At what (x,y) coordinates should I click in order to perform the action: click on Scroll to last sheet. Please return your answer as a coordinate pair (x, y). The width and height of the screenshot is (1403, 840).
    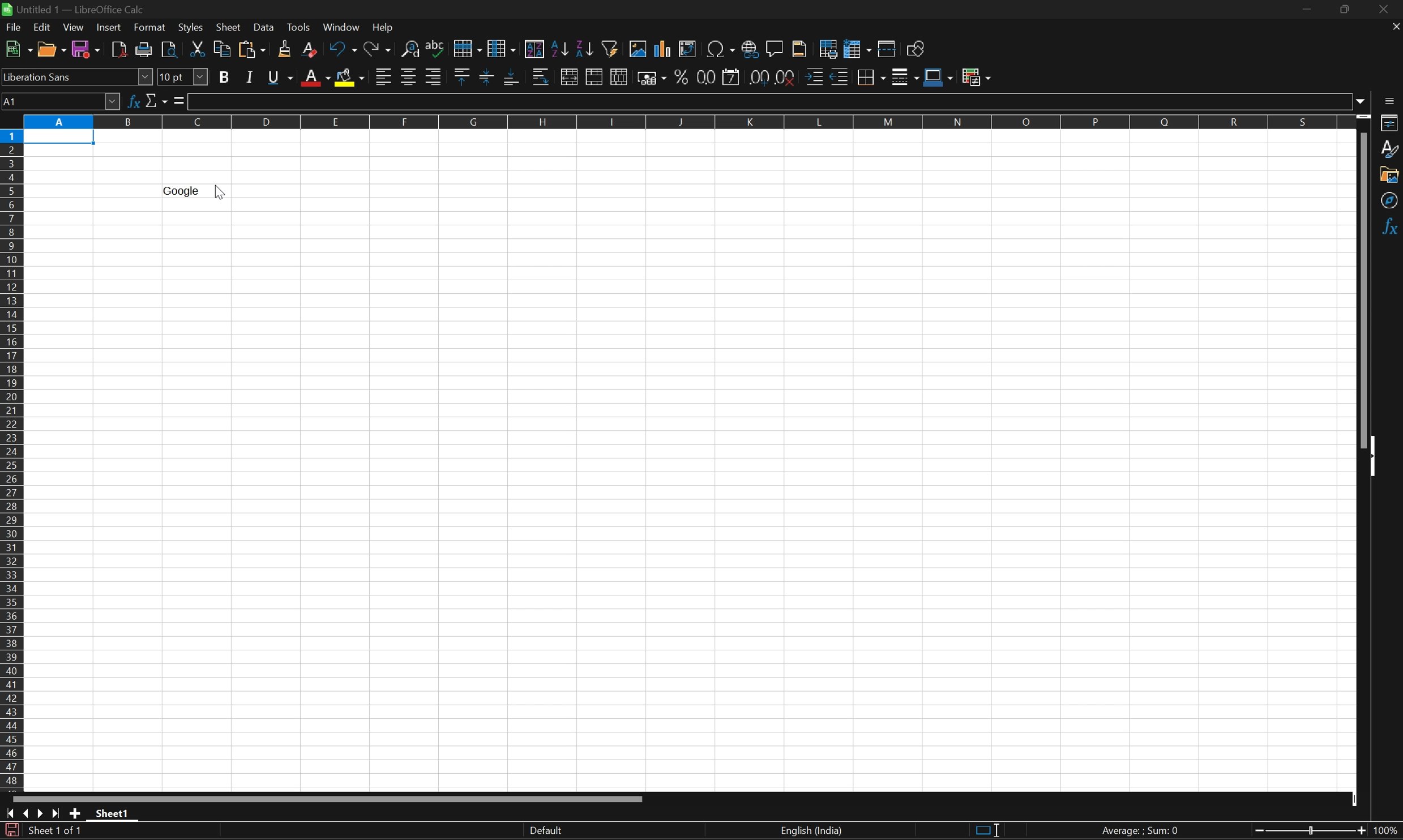
    Looking at the image, I should click on (54, 816).